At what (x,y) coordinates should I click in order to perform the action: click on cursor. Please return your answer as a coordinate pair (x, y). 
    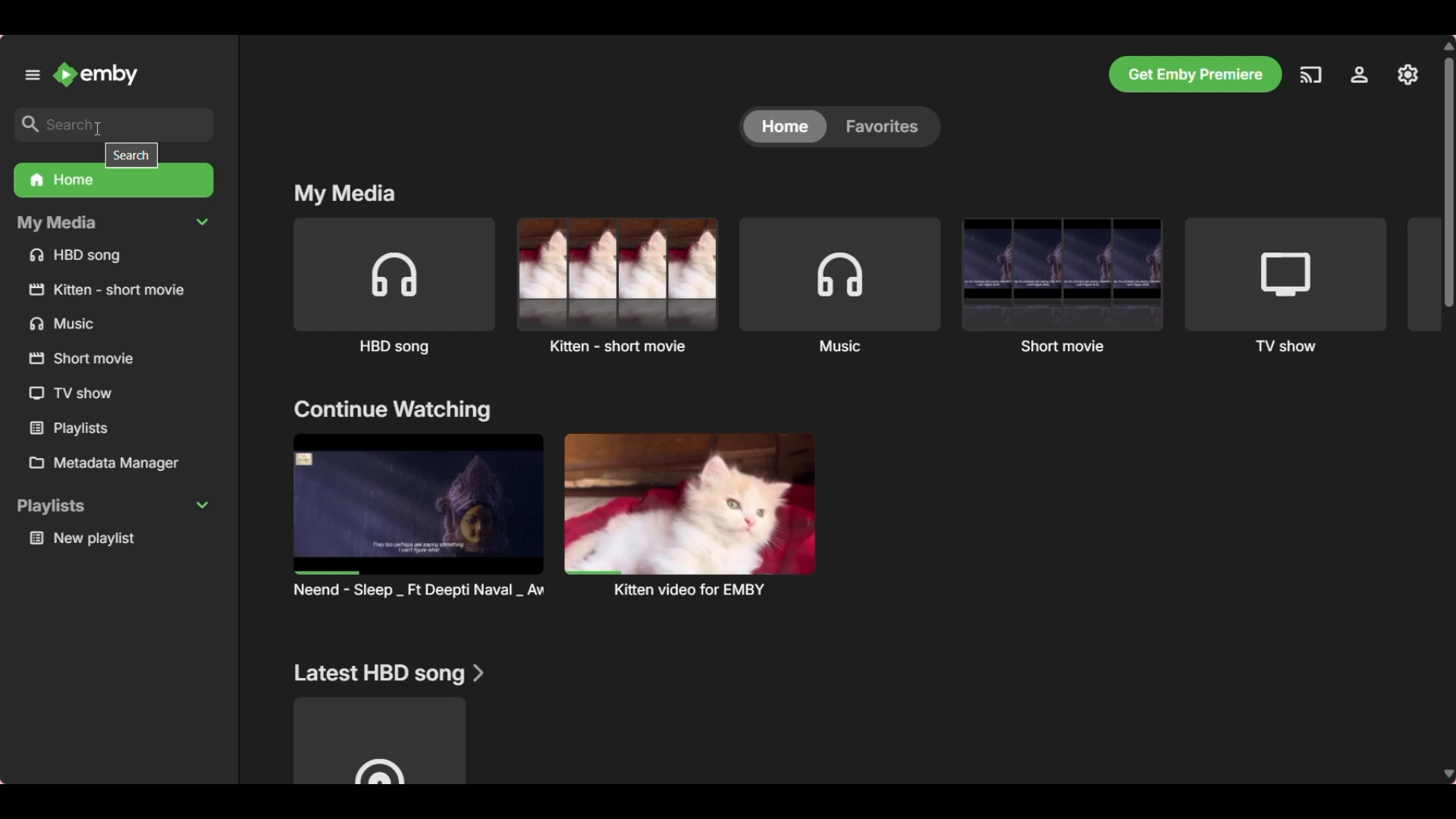
    Looking at the image, I should click on (102, 129).